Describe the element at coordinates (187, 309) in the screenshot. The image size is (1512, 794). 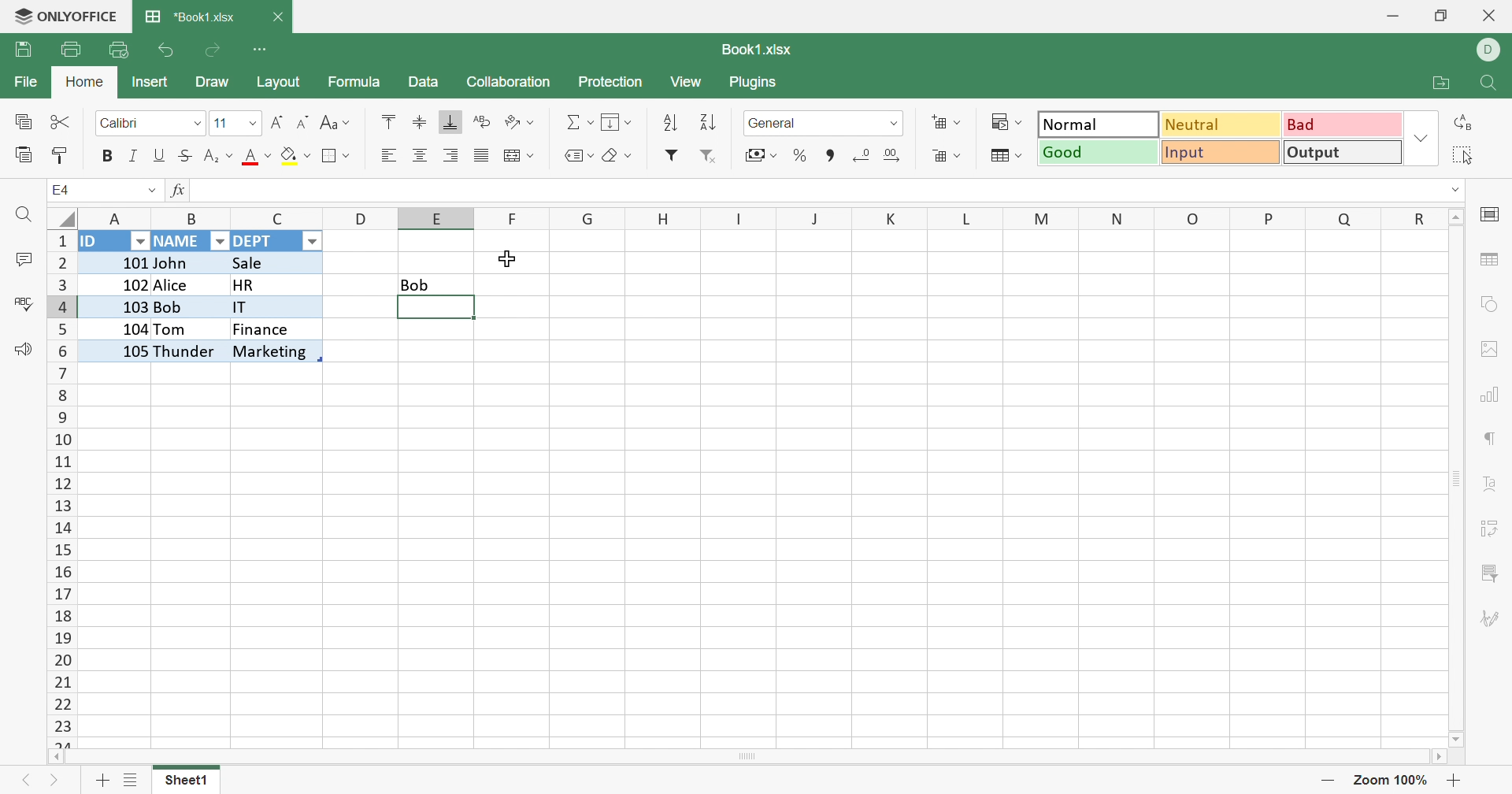
I see `Bob` at that location.